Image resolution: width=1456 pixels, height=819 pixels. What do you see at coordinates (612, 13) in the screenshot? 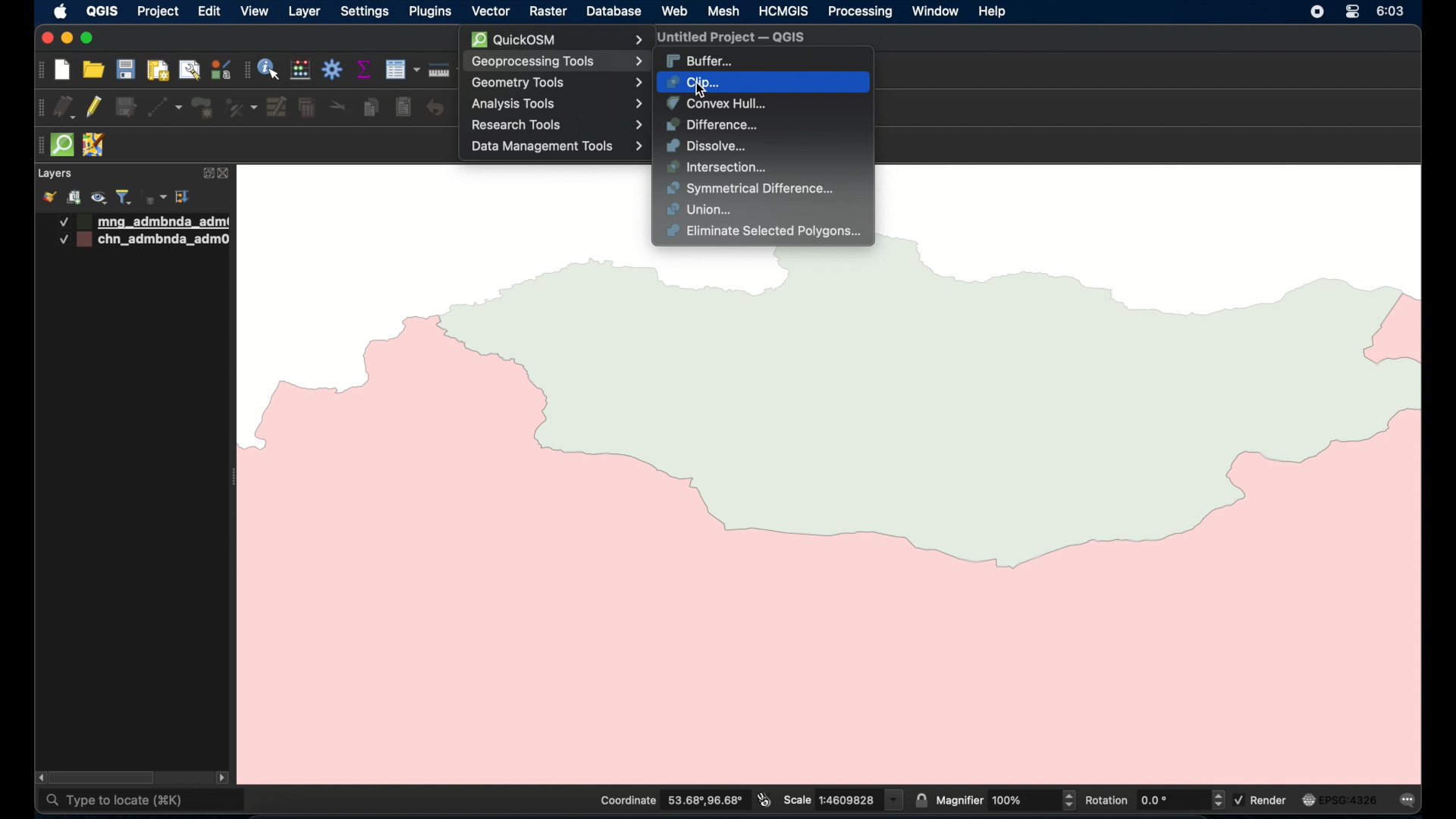
I see `database` at bounding box center [612, 13].